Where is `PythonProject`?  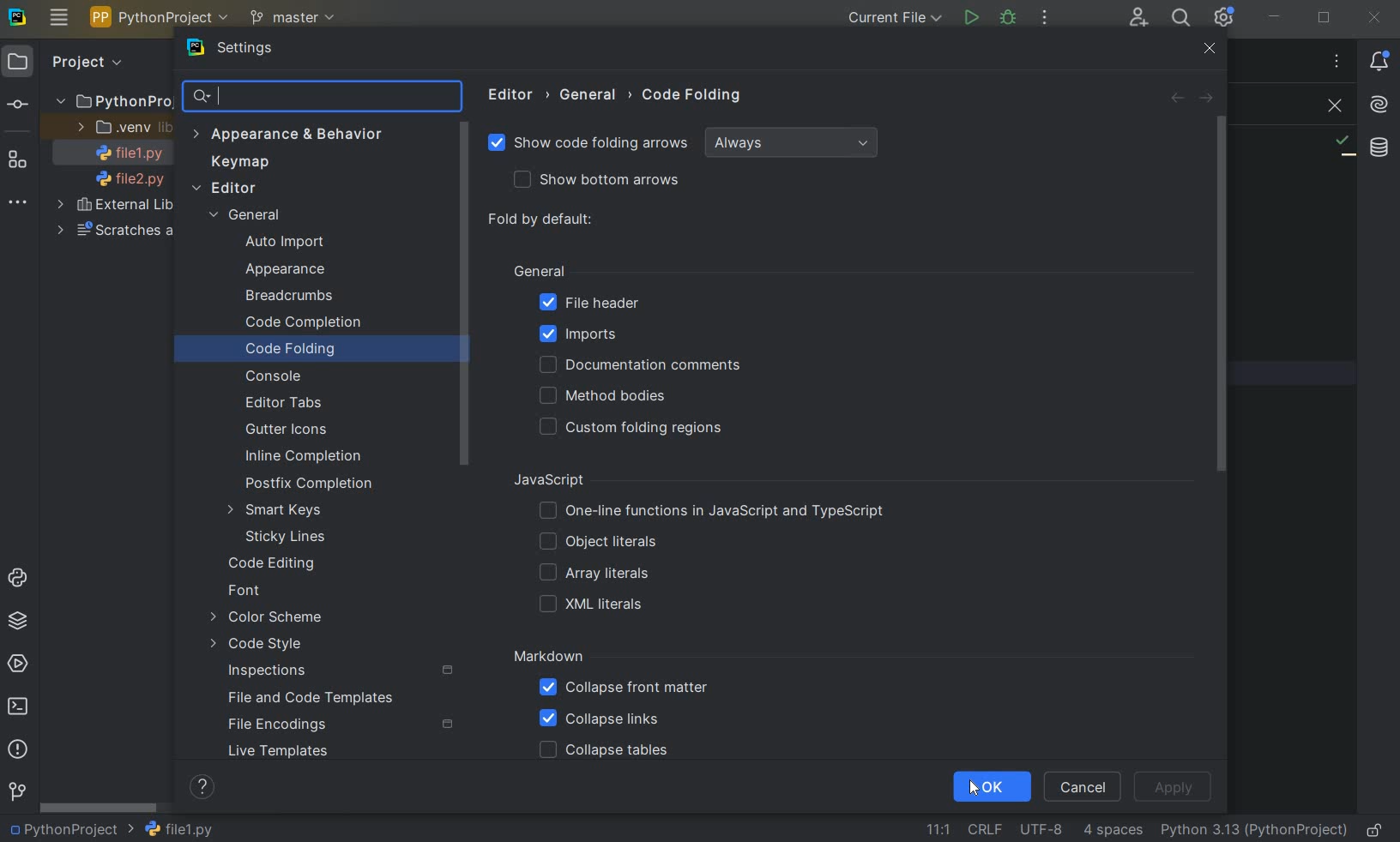
PythonProject is located at coordinates (113, 102).